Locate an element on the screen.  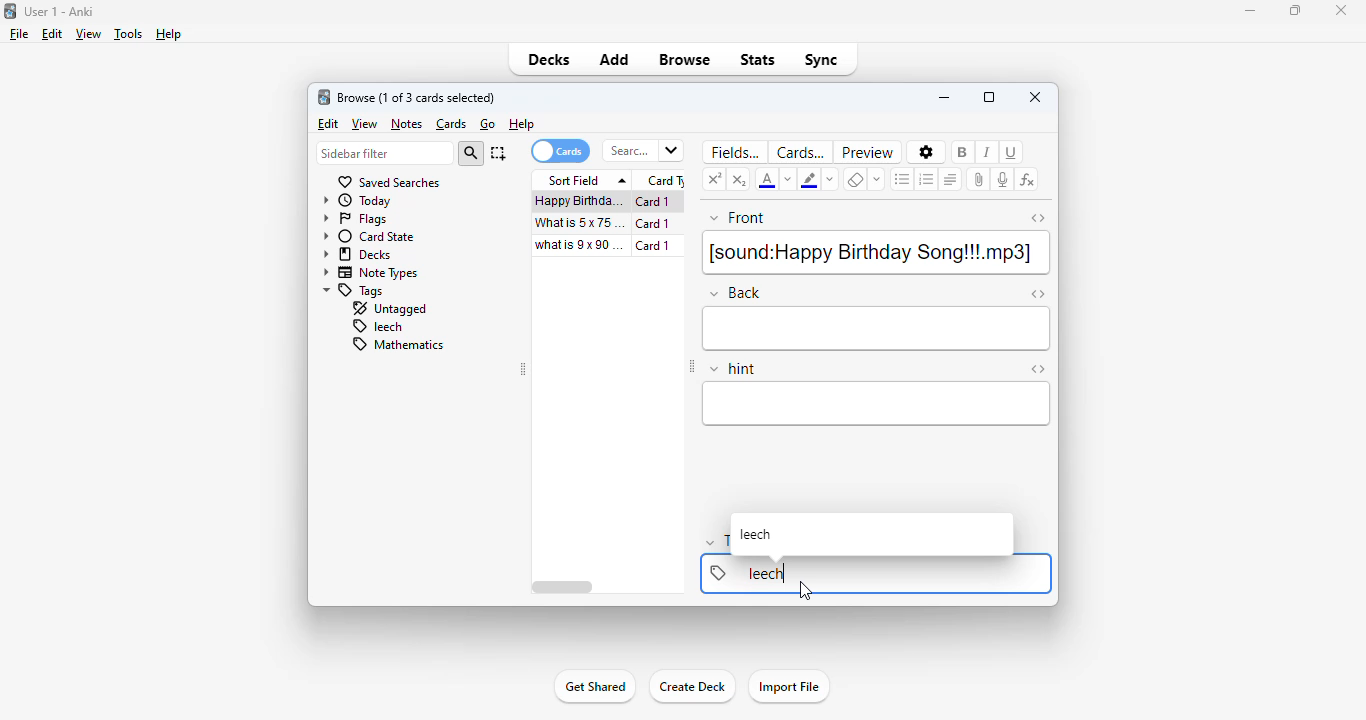
User 1 - Anki is located at coordinates (61, 12).